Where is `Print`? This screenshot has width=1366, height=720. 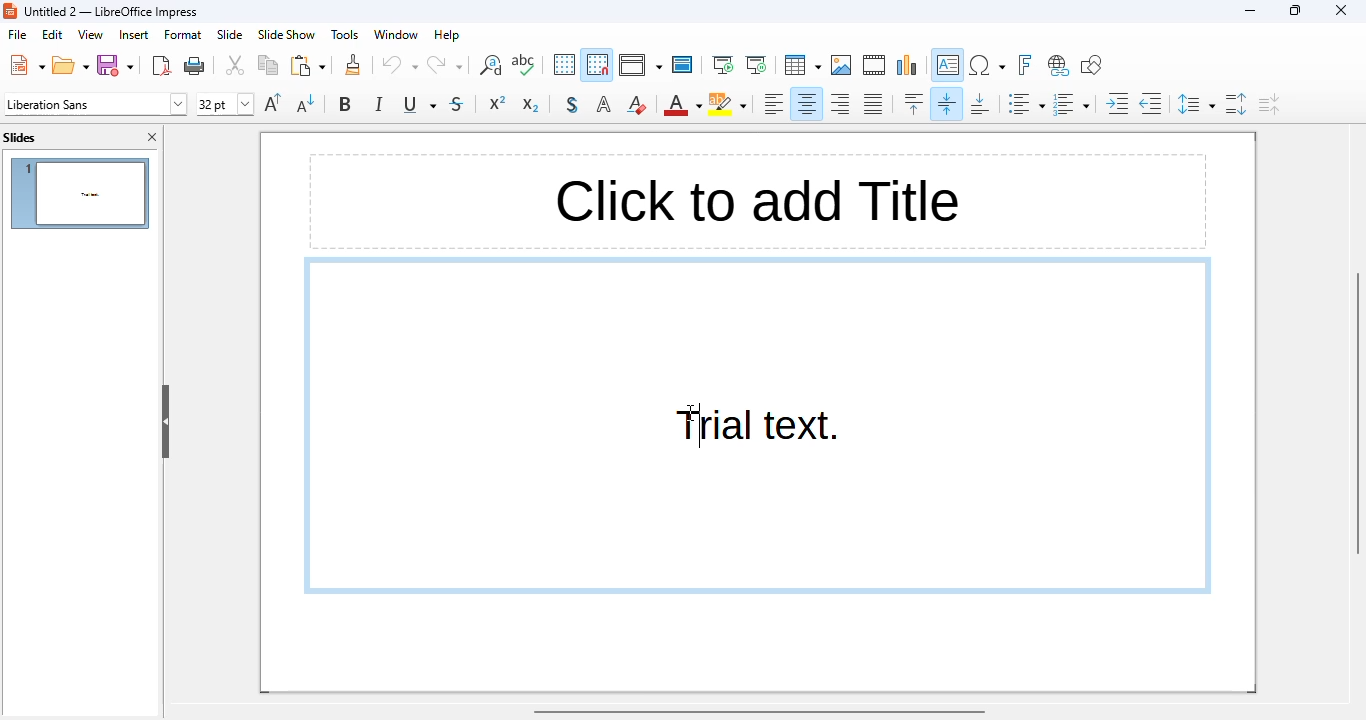 Print is located at coordinates (195, 66).